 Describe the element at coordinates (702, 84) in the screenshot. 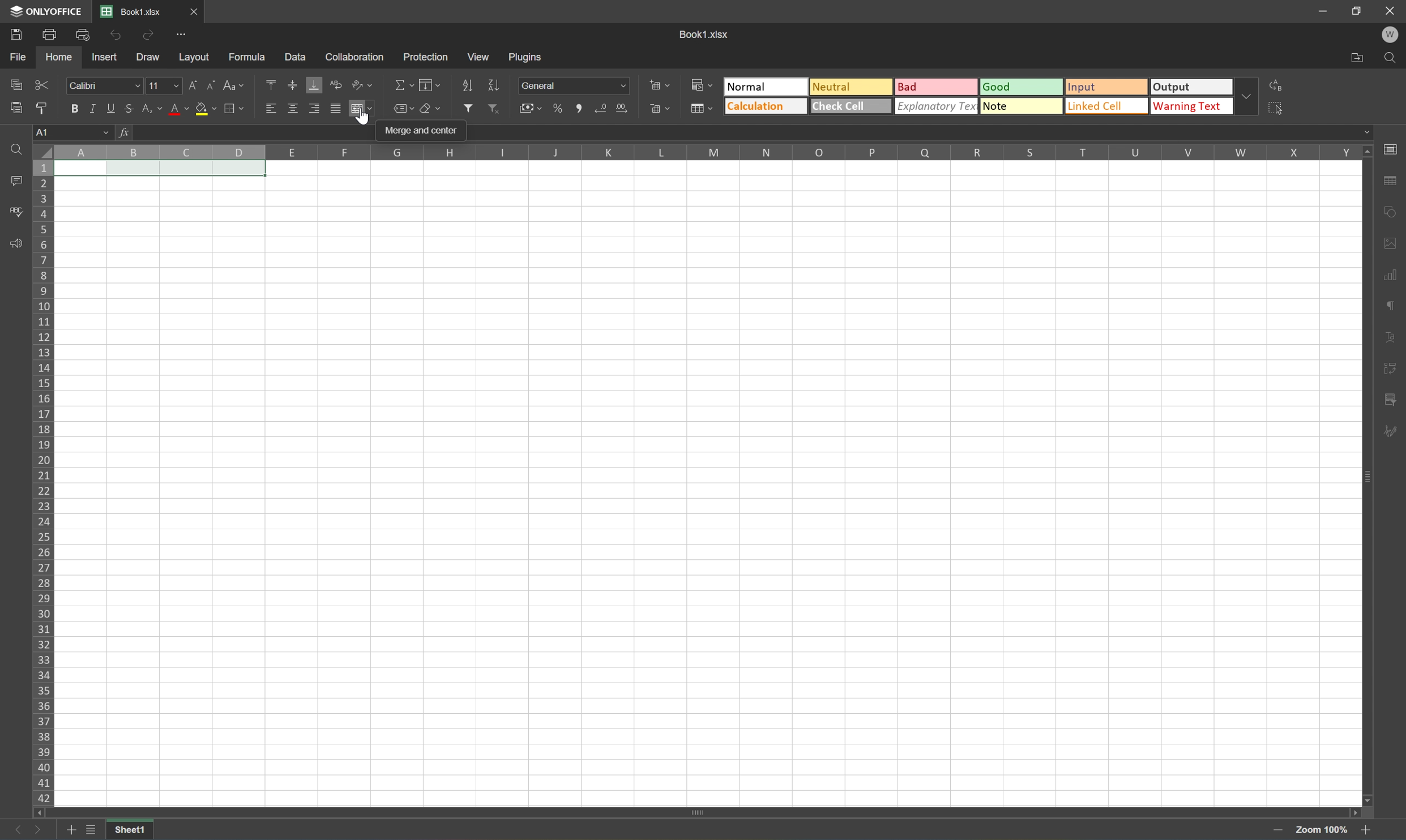

I see `Conditional formatting` at that location.